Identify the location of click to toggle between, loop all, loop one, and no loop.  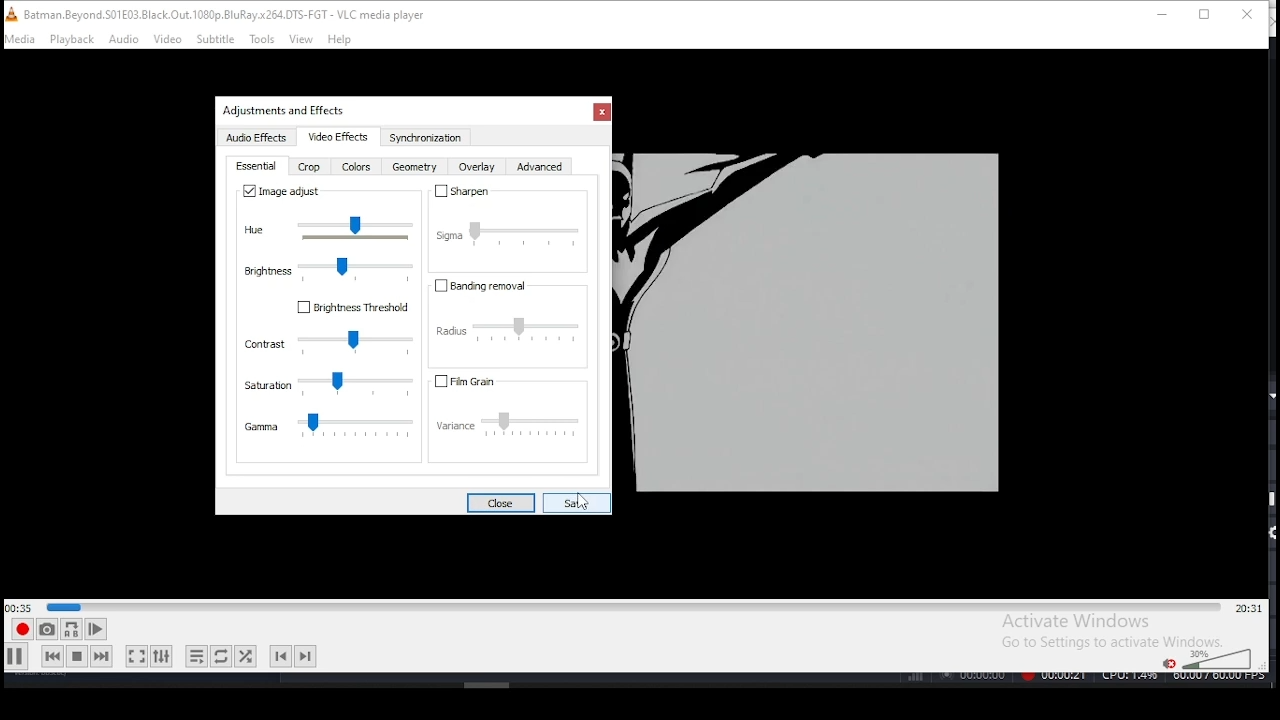
(219, 657).